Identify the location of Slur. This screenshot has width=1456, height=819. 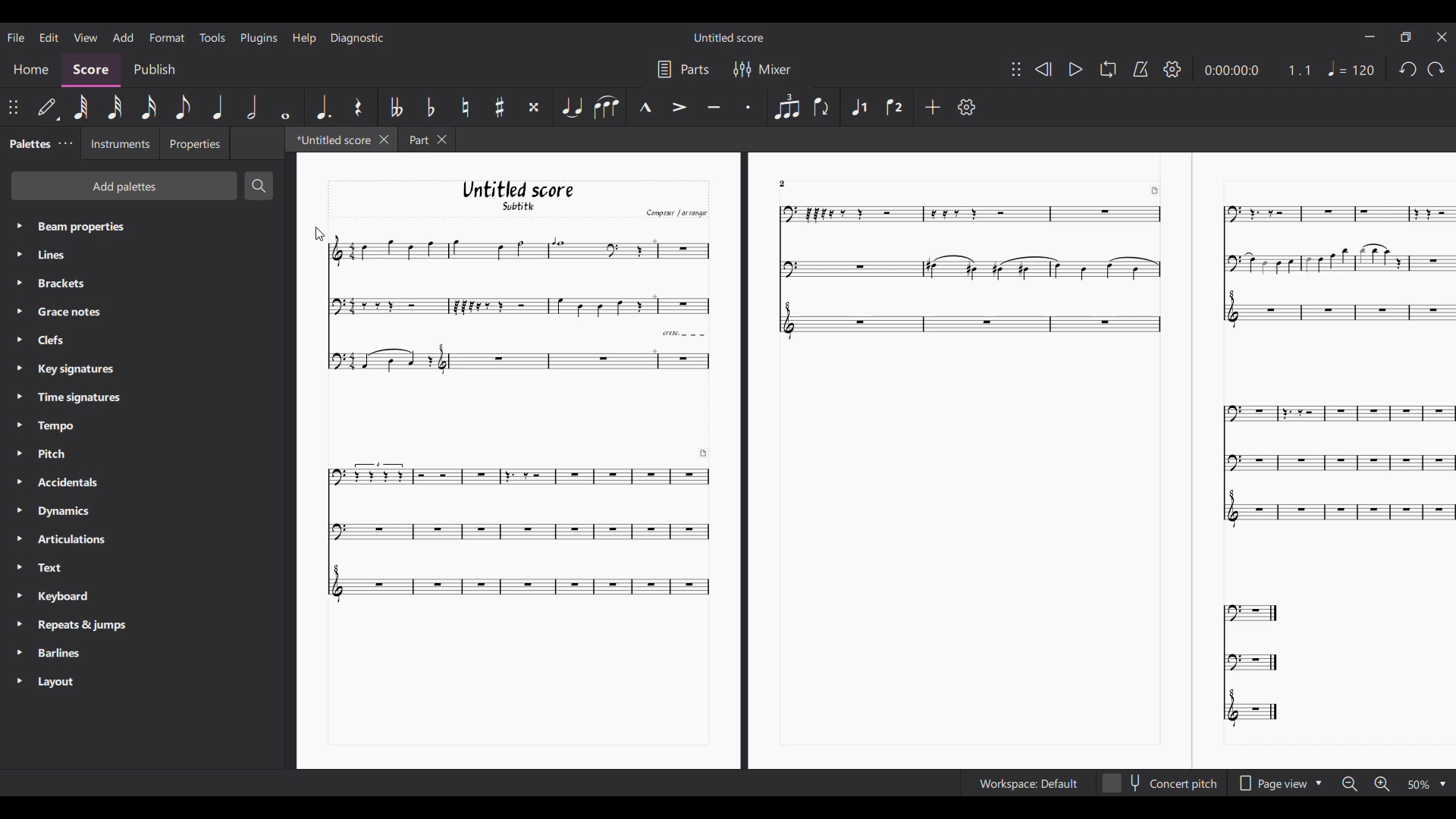
(607, 107).